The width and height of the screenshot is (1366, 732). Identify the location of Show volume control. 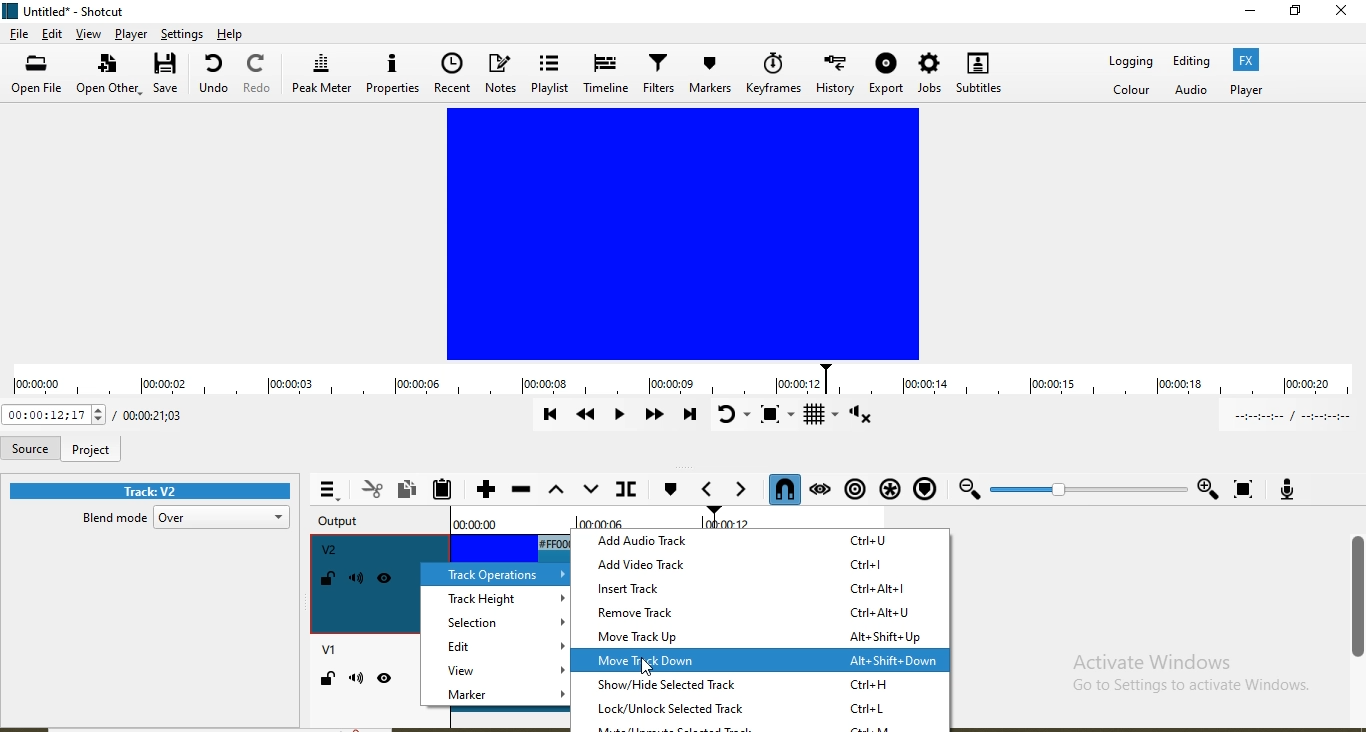
(875, 417).